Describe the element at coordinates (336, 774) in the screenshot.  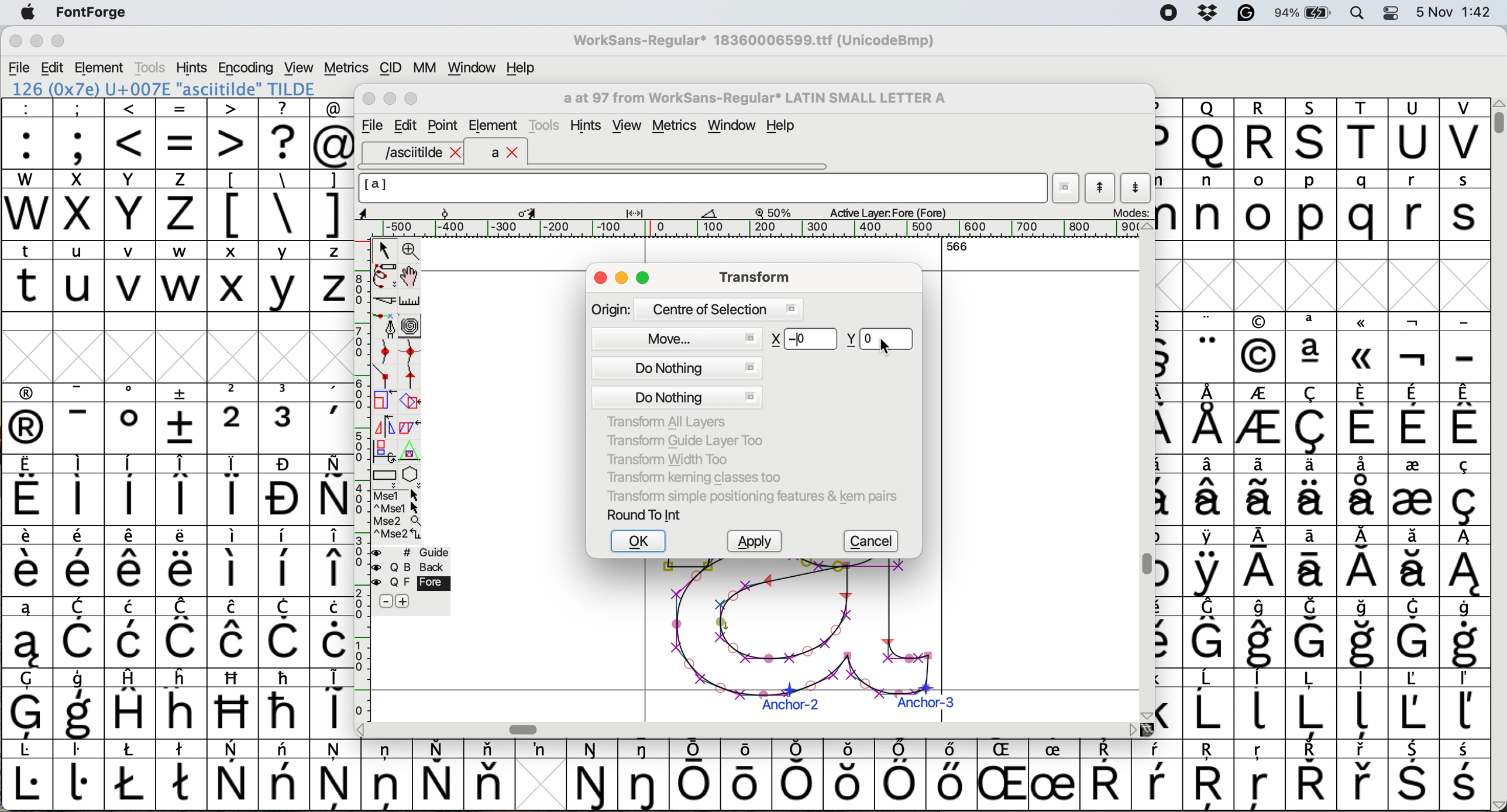
I see `symbol` at that location.